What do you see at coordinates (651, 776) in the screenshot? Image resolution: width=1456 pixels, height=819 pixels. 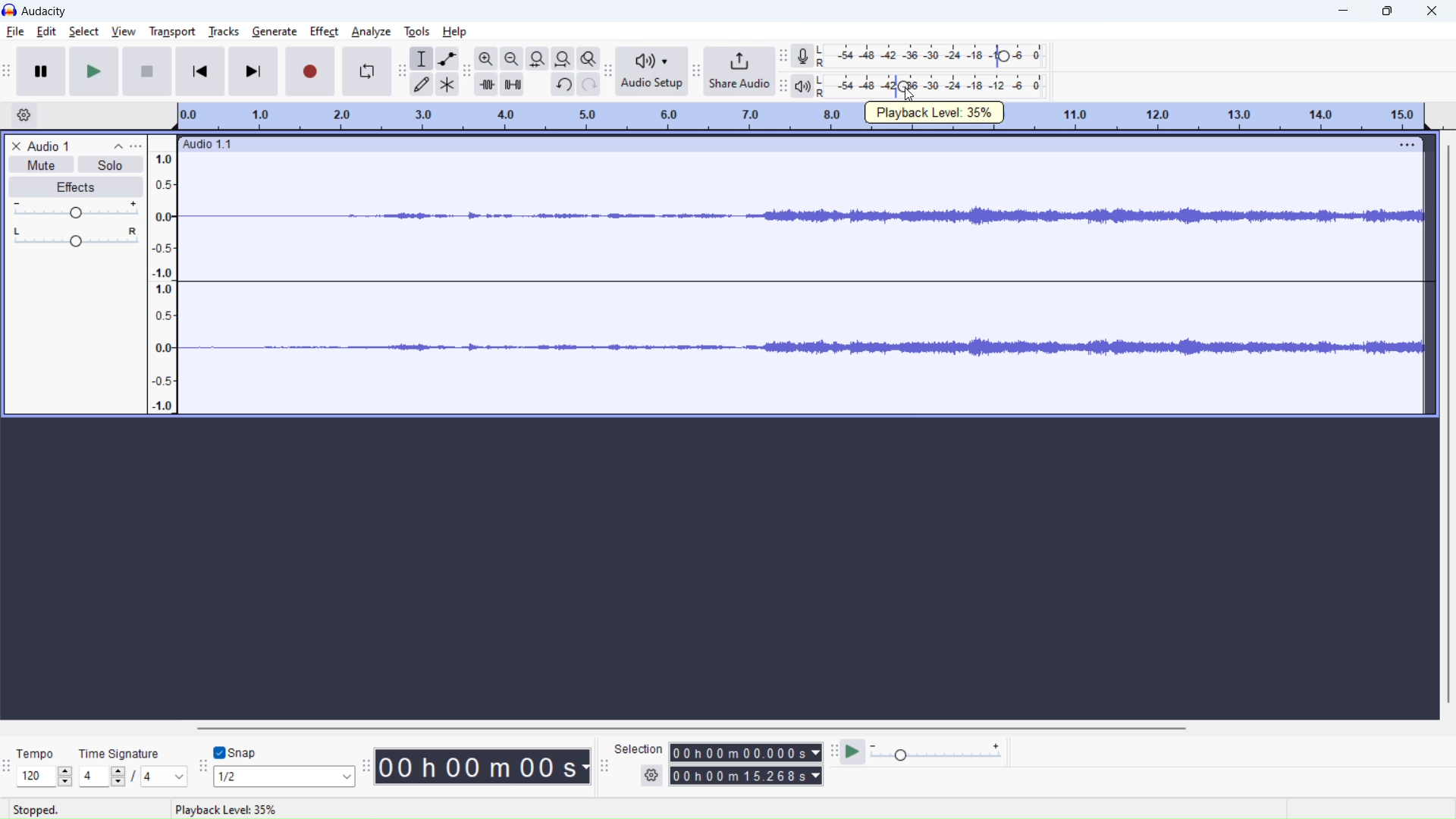 I see `settings` at bounding box center [651, 776].